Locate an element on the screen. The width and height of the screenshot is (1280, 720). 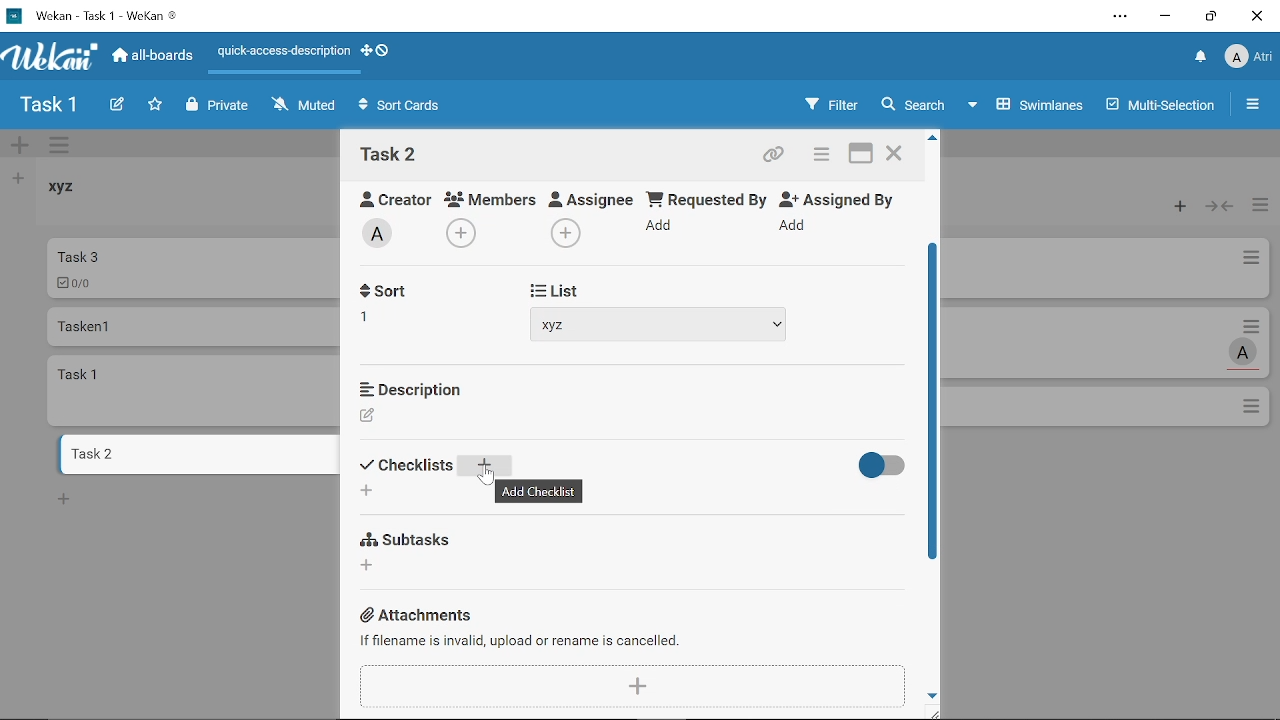
Collapse is located at coordinates (1221, 207).